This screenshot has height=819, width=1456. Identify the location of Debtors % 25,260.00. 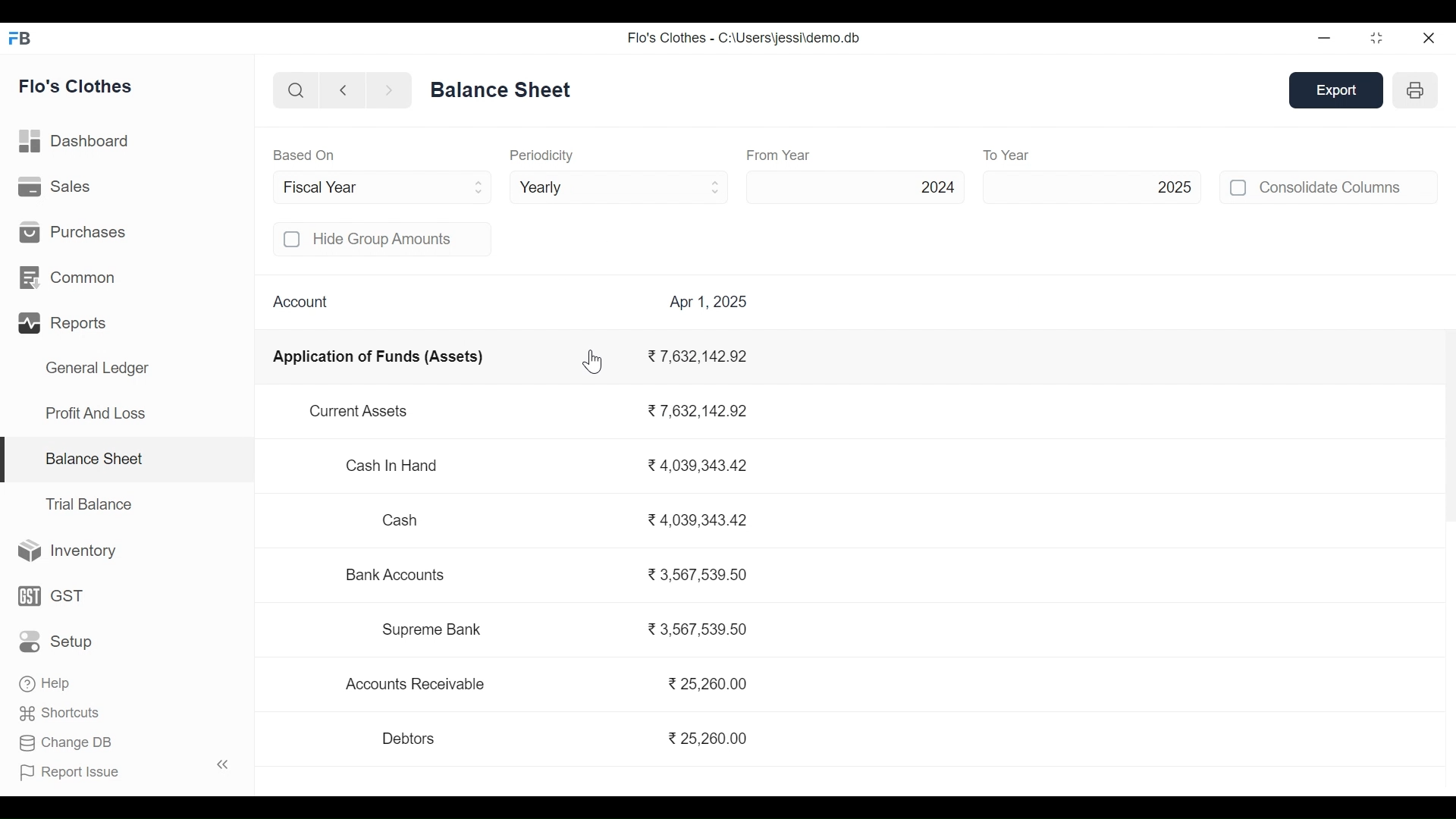
(562, 739).